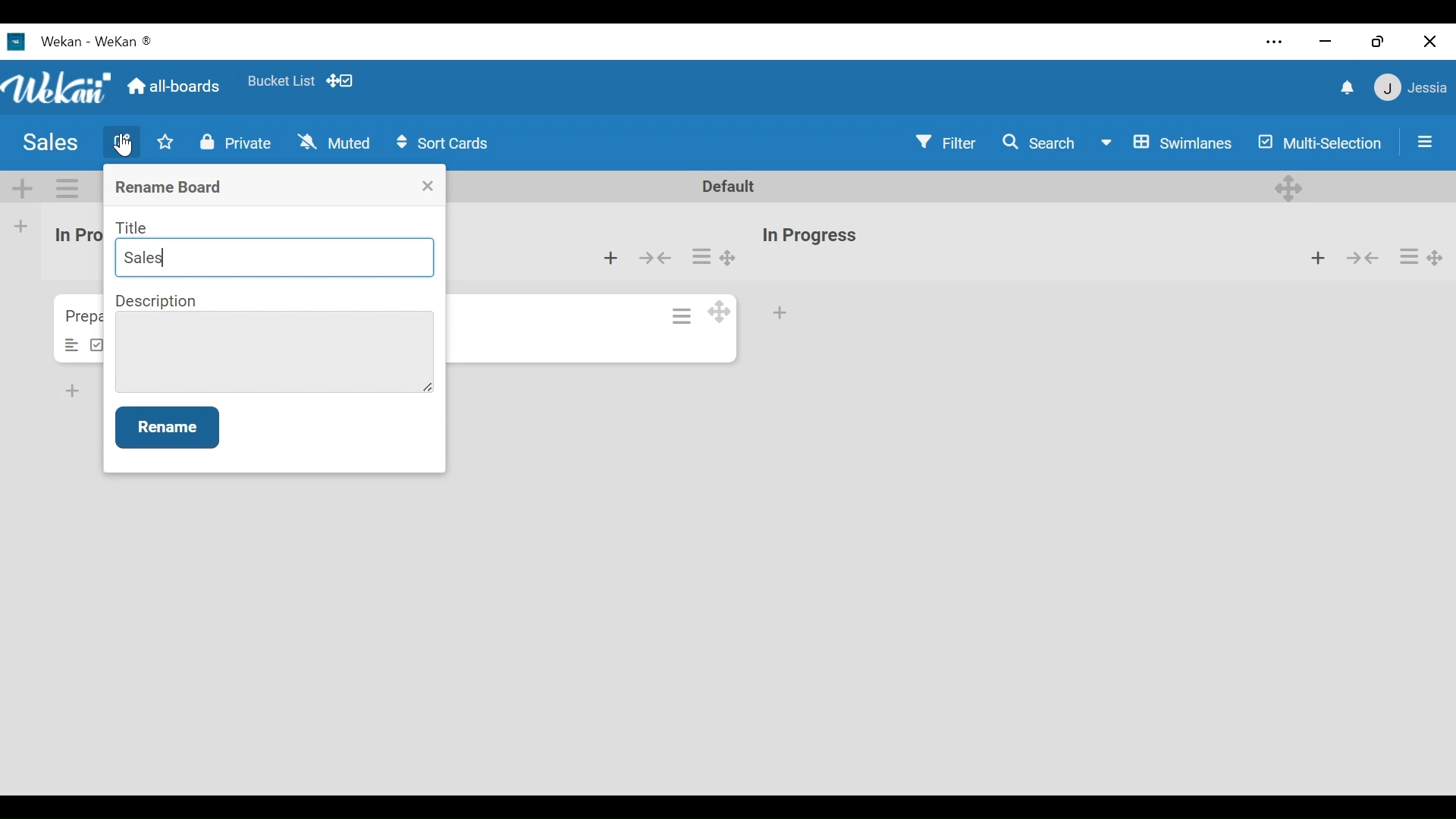  What do you see at coordinates (1436, 259) in the screenshot?
I see `Desktop drag handles` at bounding box center [1436, 259].